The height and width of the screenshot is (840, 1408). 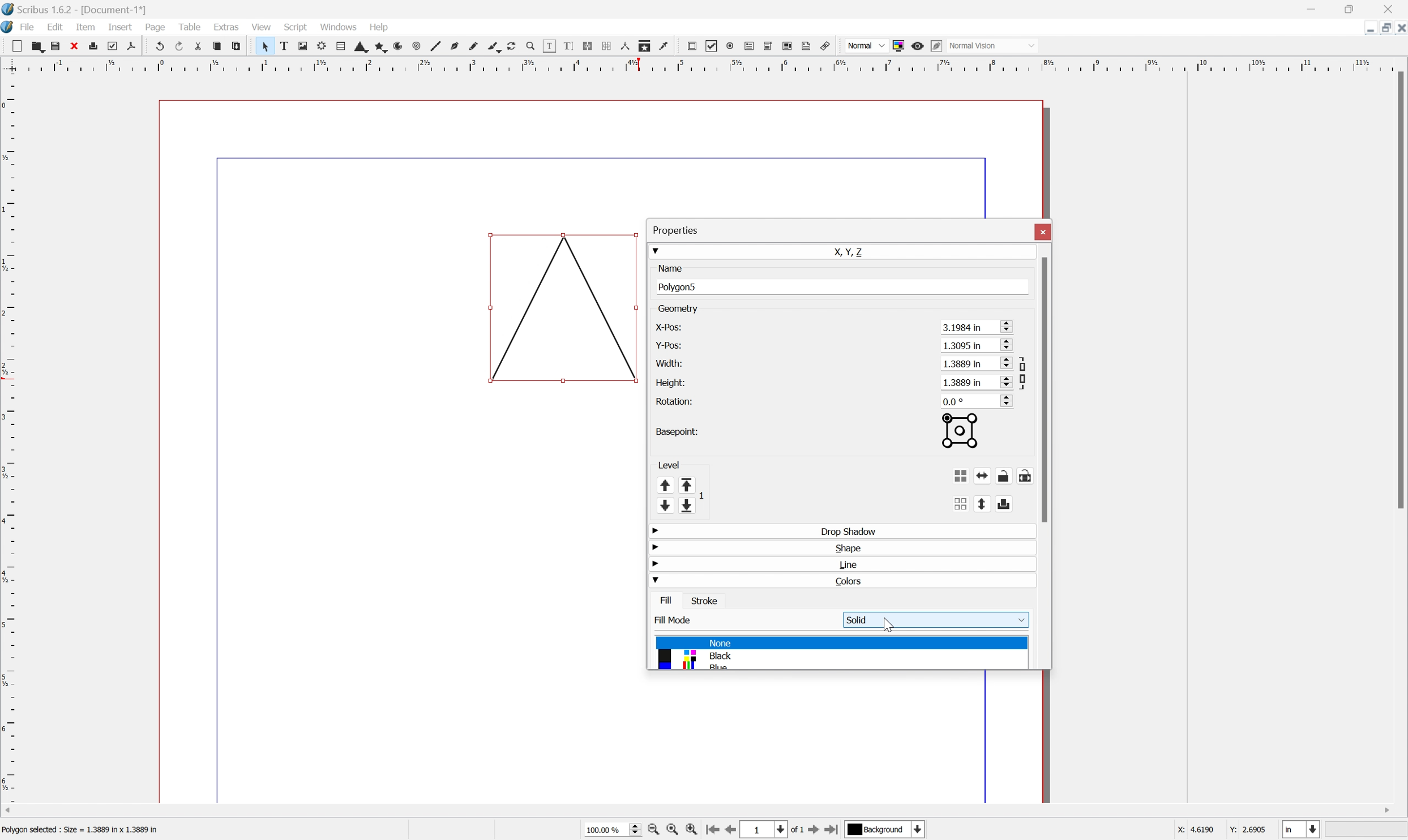 I want to click on Script, so click(x=297, y=27).